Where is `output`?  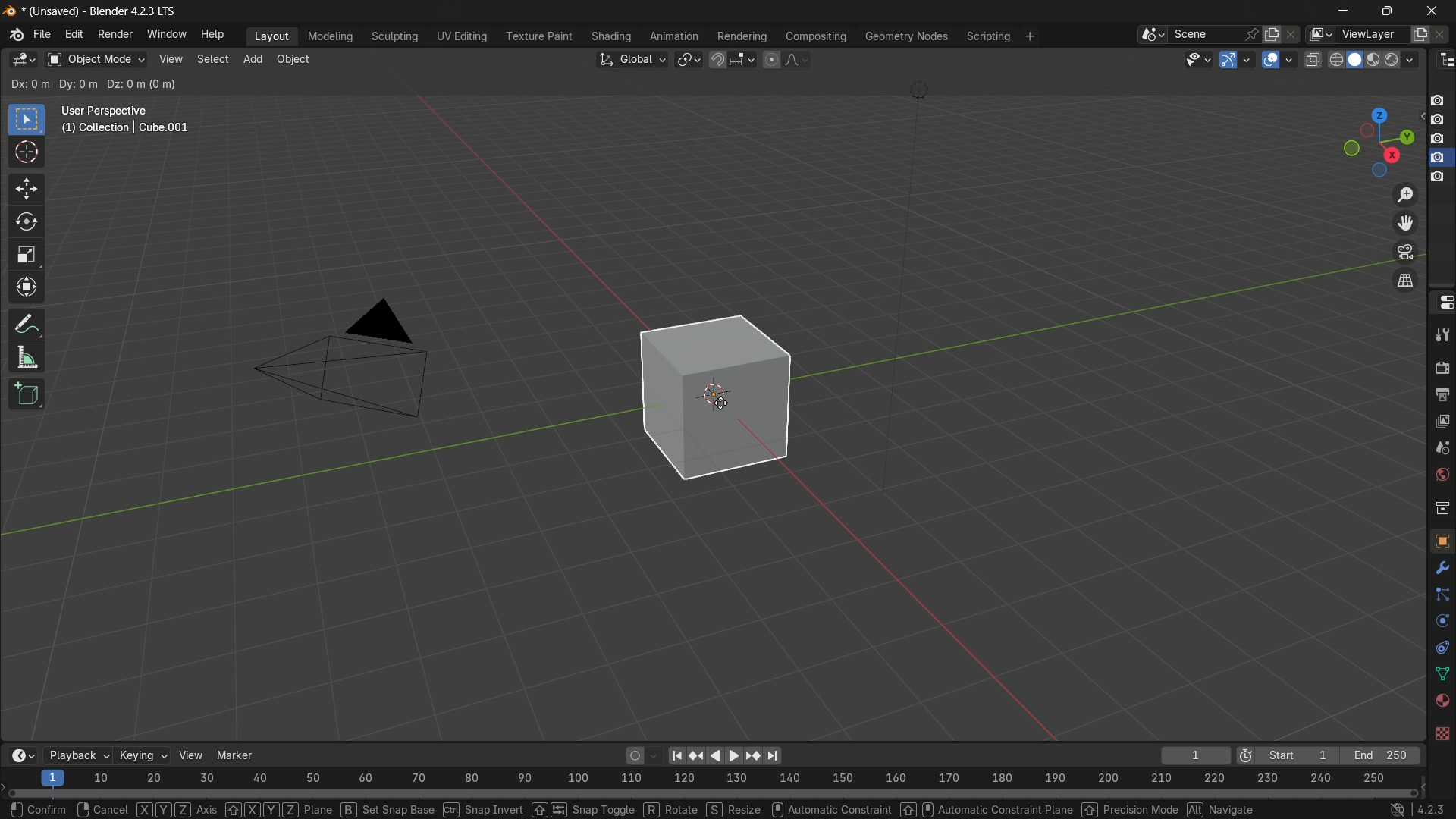 output is located at coordinates (1442, 394).